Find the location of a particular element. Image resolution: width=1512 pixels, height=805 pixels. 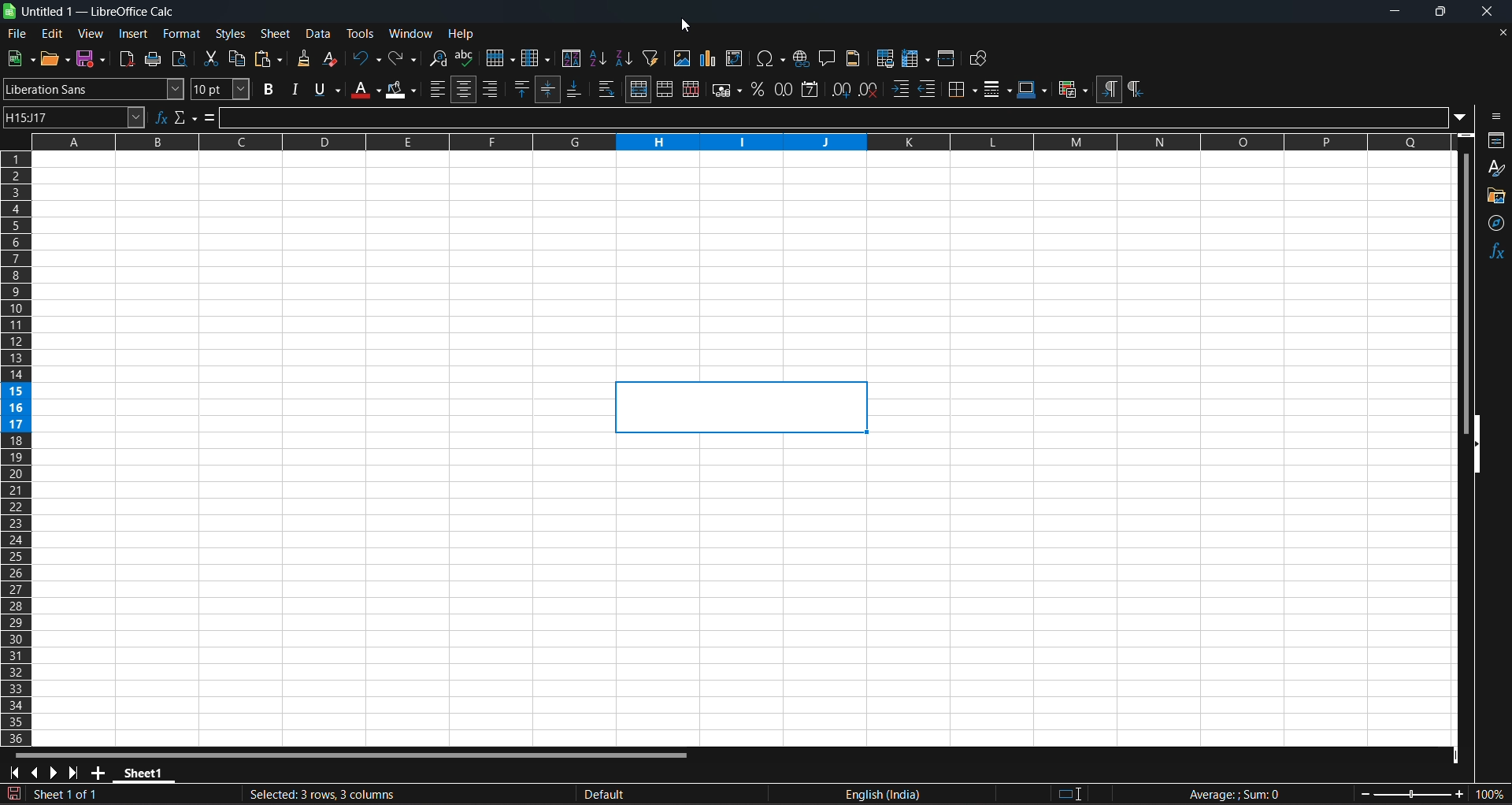

insert comment is located at coordinates (828, 58).